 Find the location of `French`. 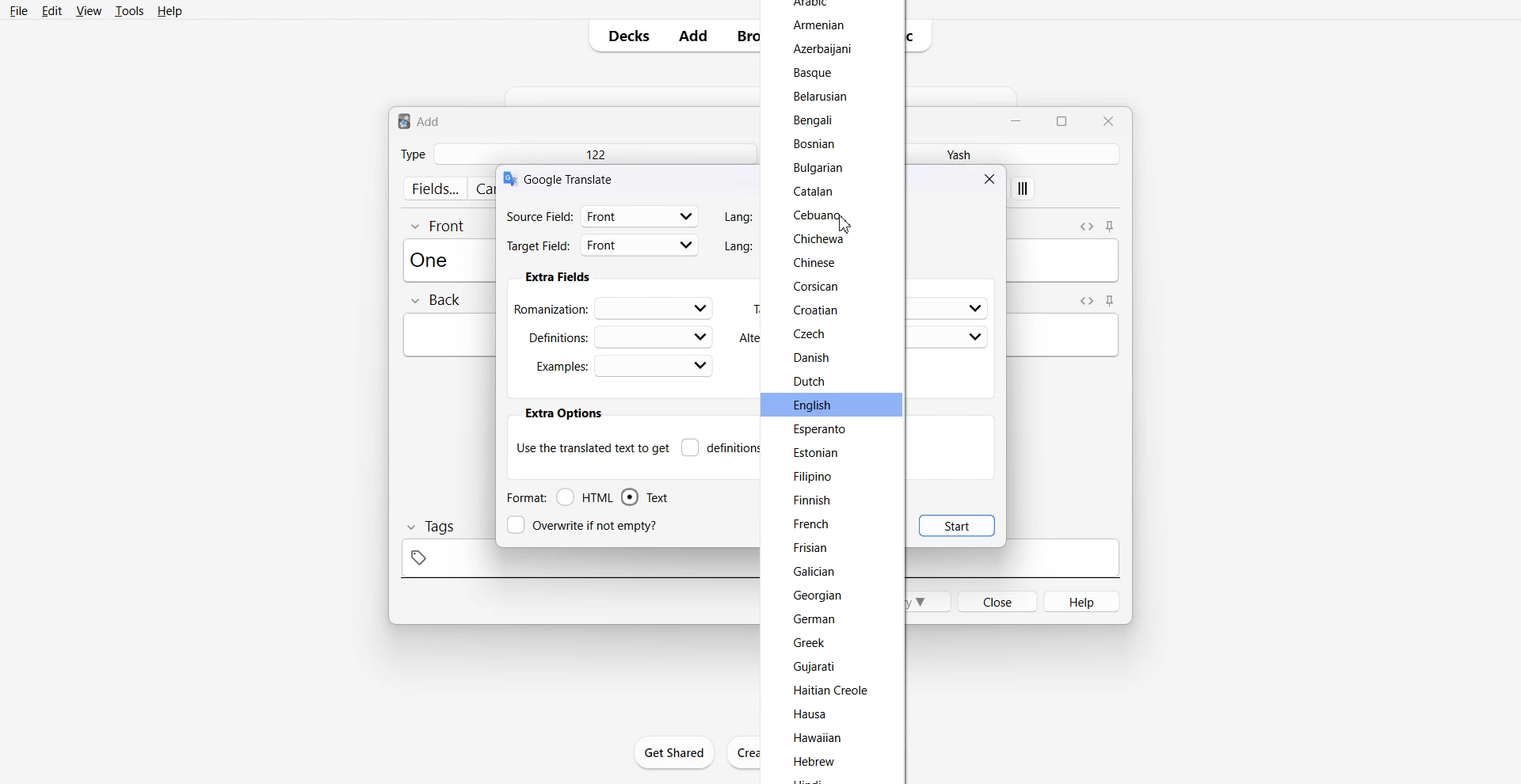

French is located at coordinates (814, 524).